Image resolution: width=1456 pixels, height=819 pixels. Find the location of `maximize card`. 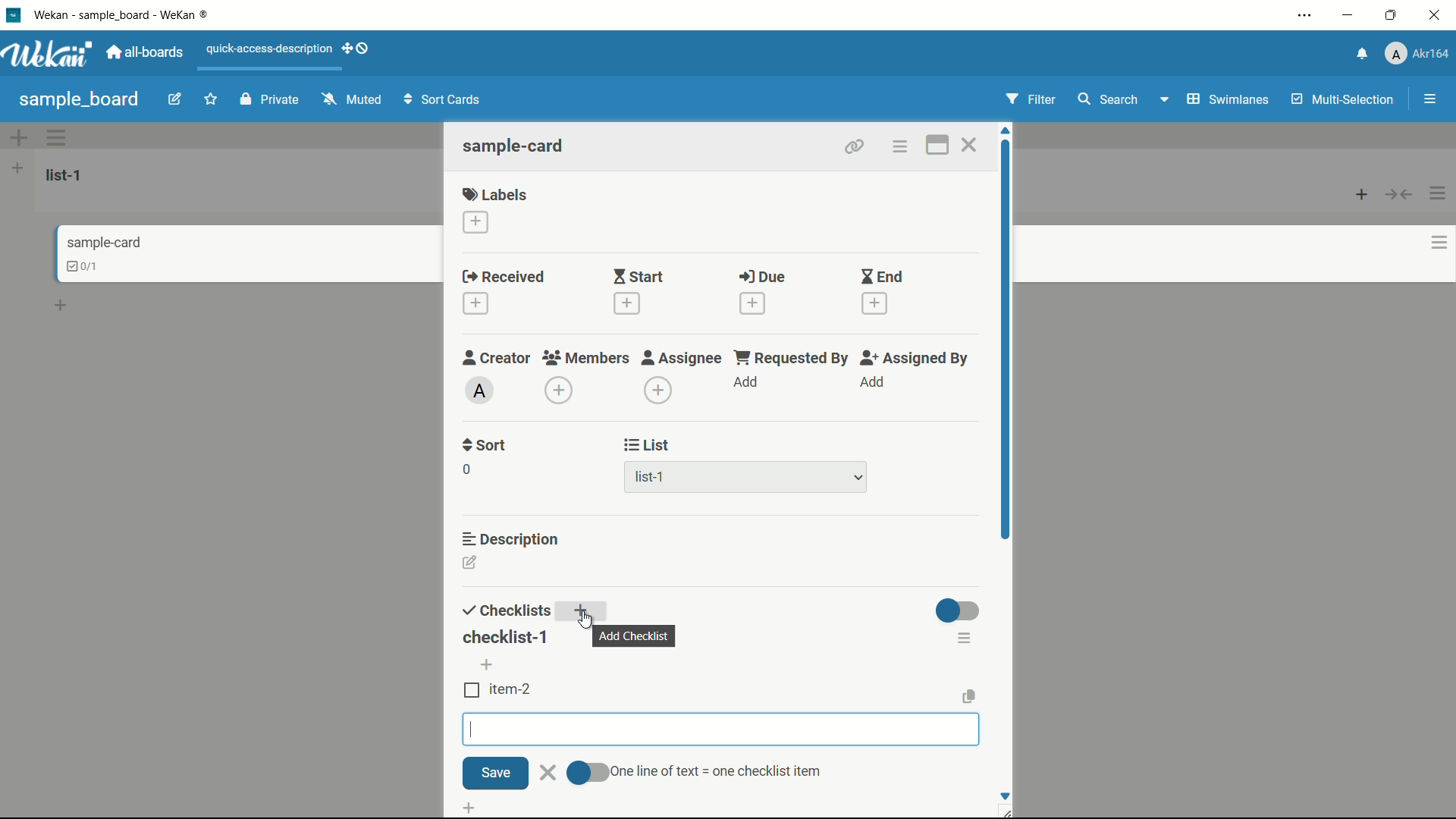

maximize card is located at coordinates (937, 147).